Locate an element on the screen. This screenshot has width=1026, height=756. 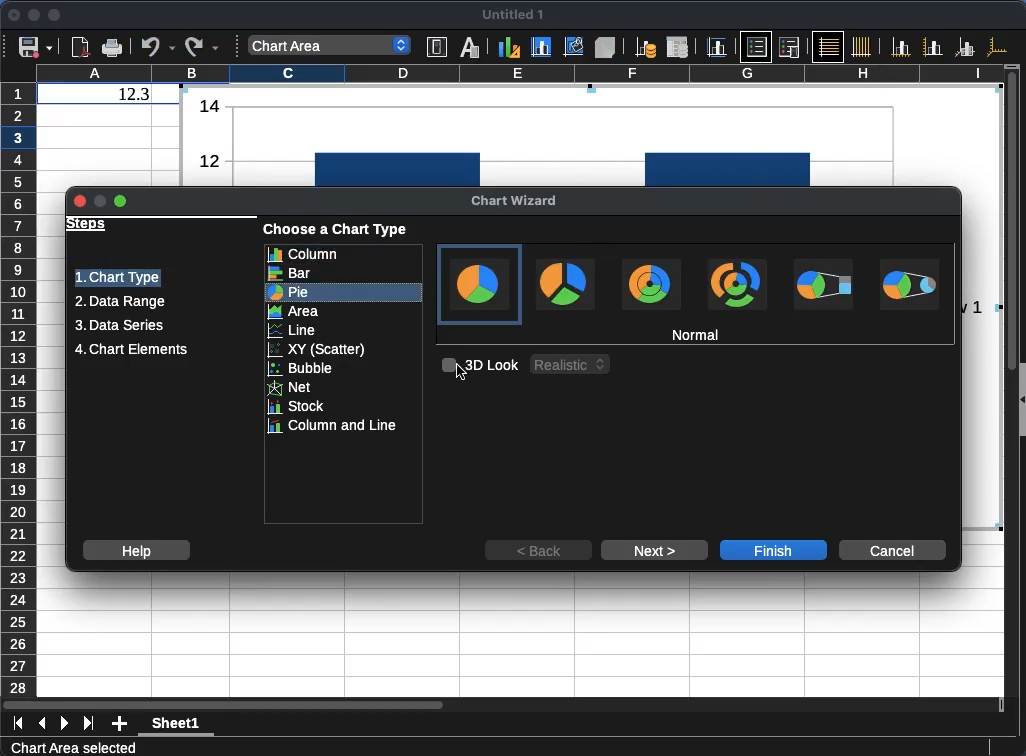
previous sheet is located at coordinates (42, 724).